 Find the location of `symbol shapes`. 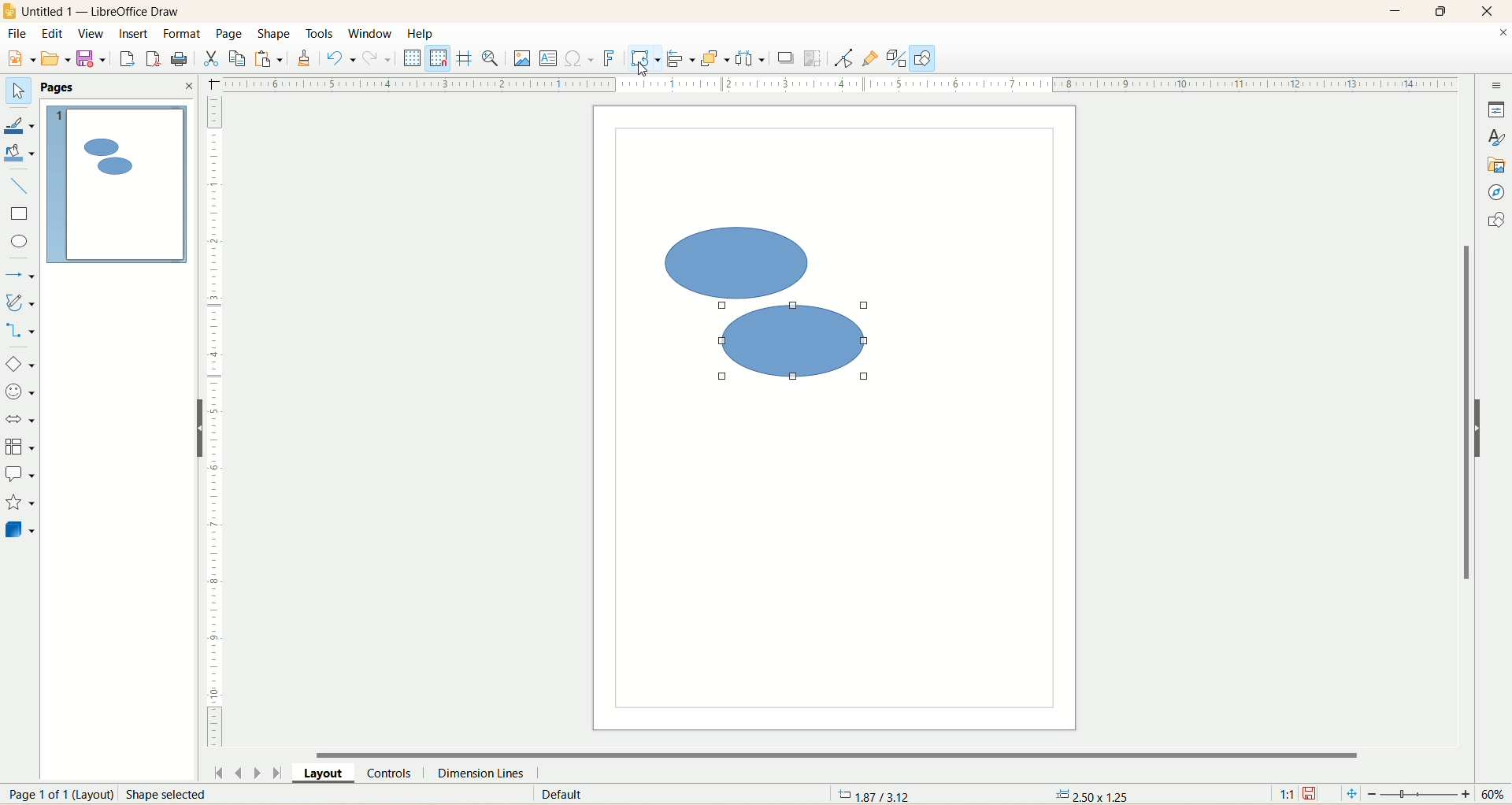

symbol shapes is located at coordinates (19, 393).